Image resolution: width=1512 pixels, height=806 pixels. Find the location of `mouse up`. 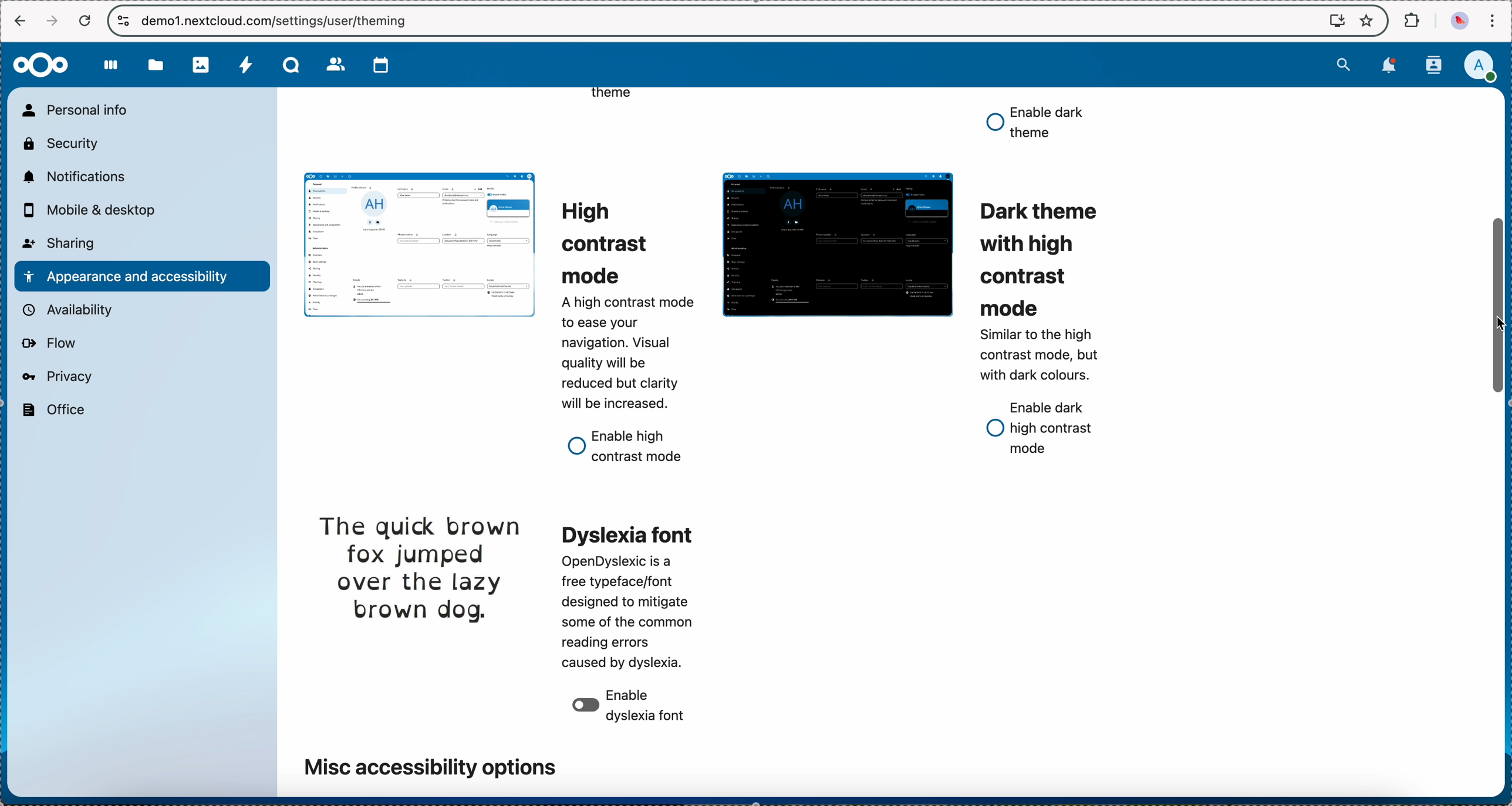

mouse up is located at coordinates (1494, 325).